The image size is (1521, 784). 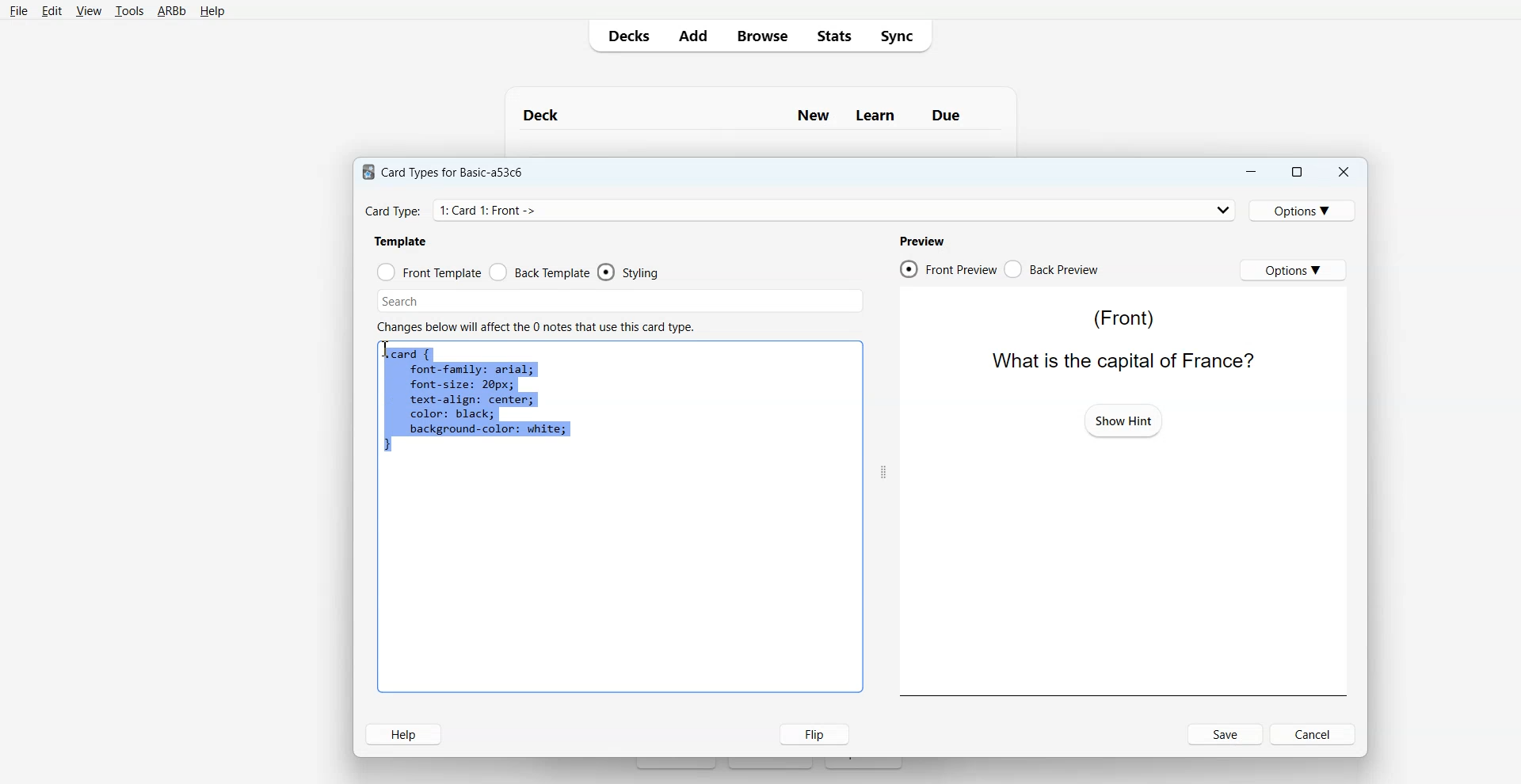 What do you see at coordinates (692, 36) in the screenshot?
I see `Add` at bounding box center [692, 36].